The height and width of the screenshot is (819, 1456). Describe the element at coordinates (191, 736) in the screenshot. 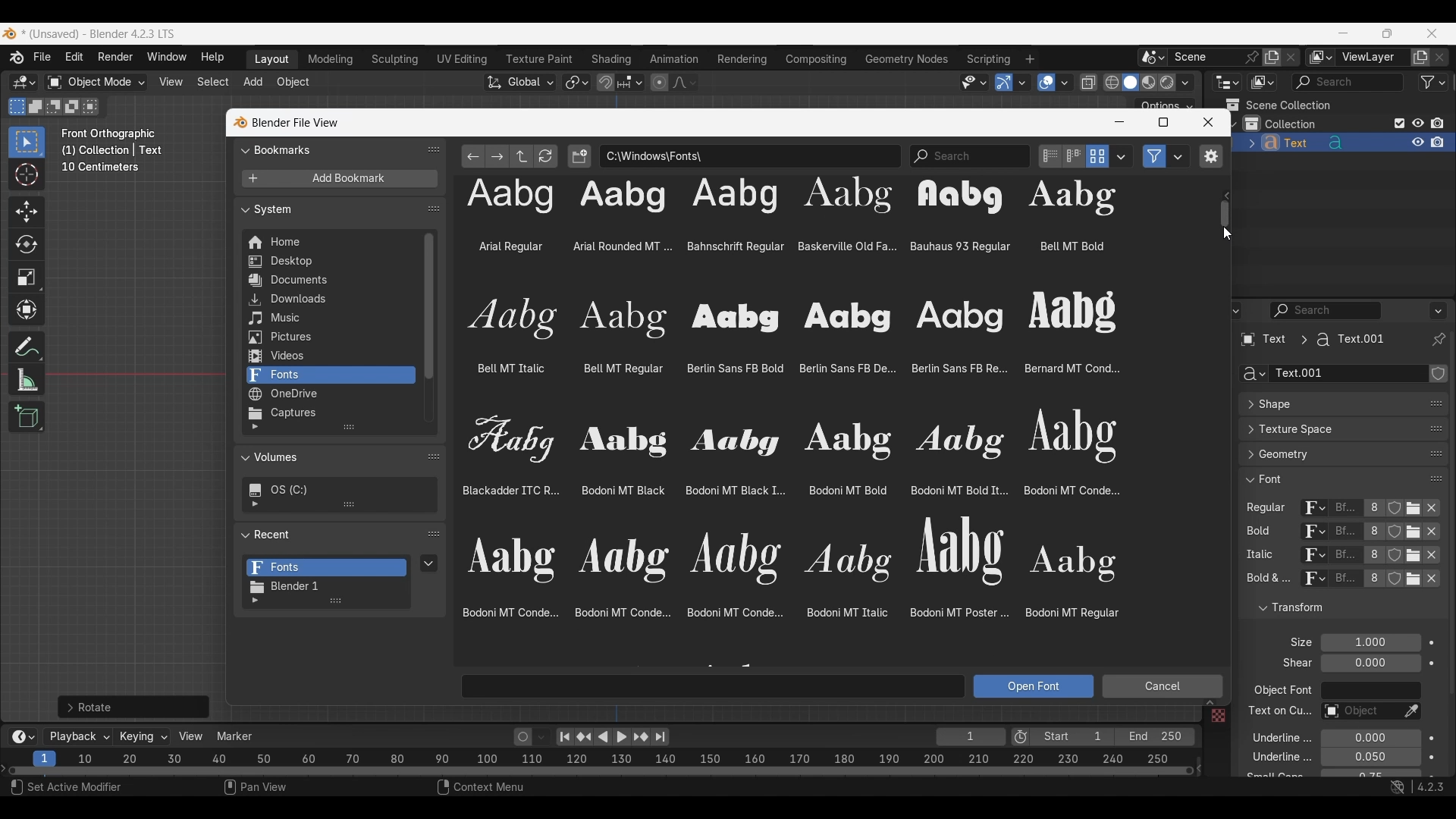

I see `View` at that location.